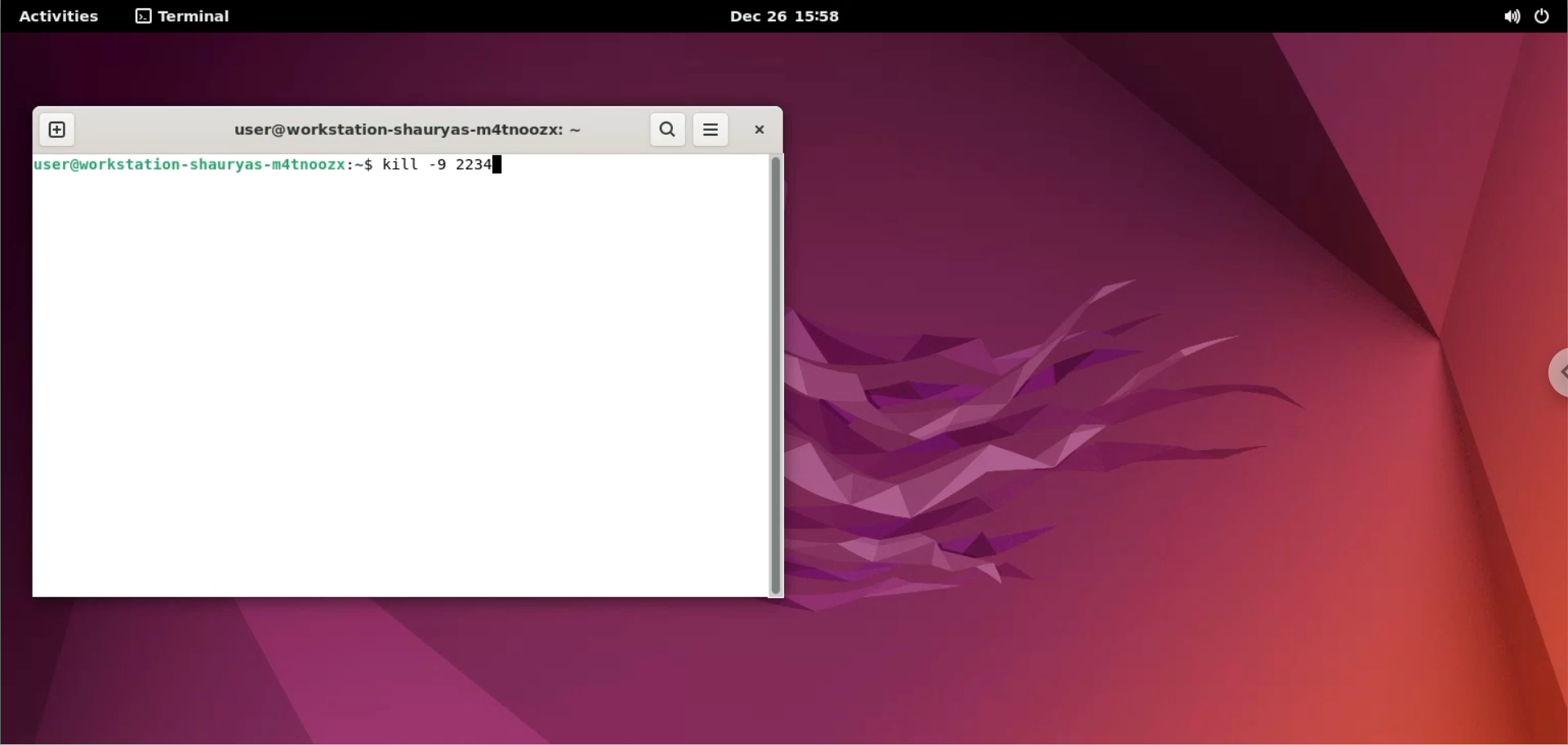 The height and width of the screenshot is (745, 1568). Describe the element at coordinates (669, 131) in the screenshot. I see `search` at that location.